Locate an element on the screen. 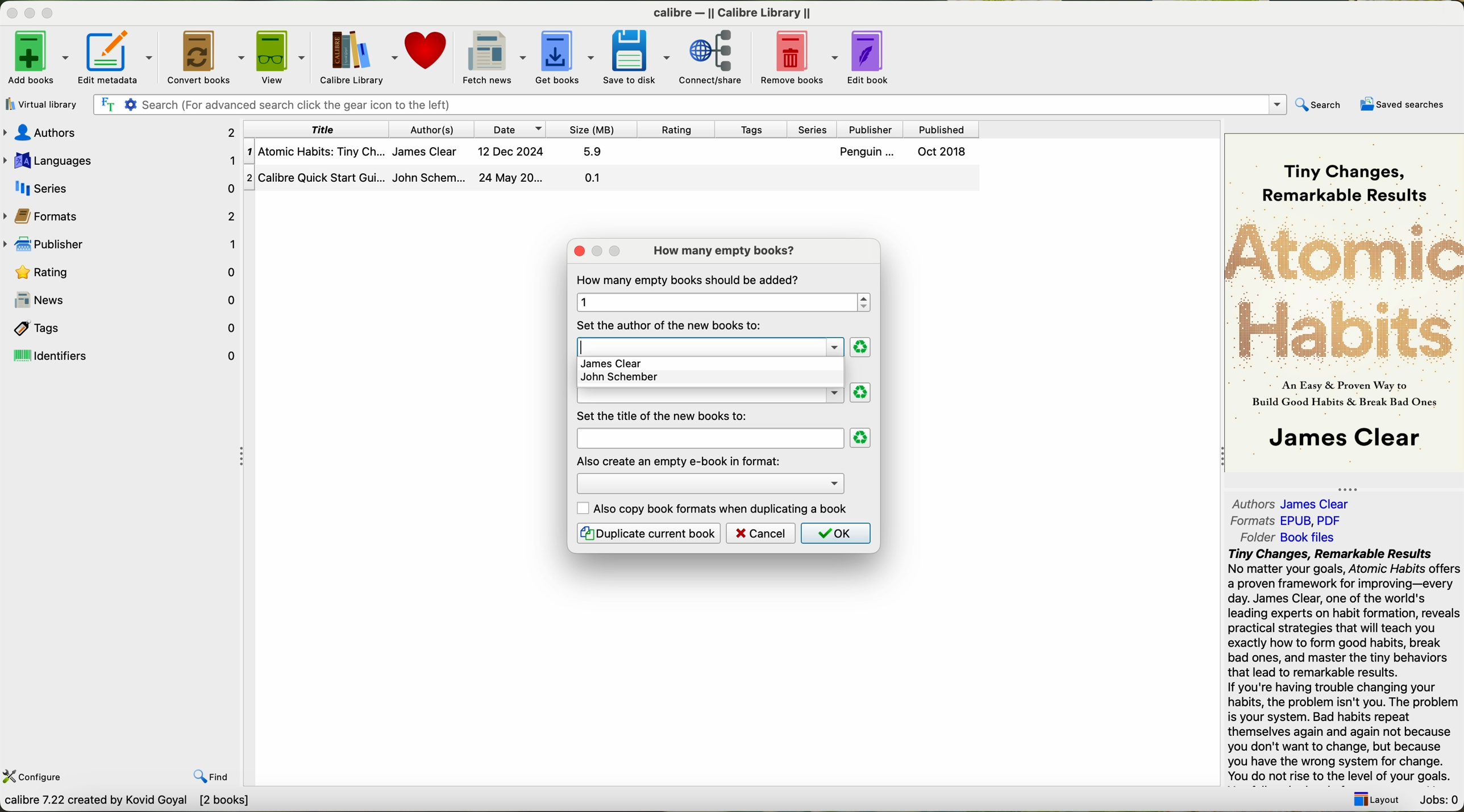 This screenshot has height=812, width=1464. publisher is located at coordinates (121, 242).